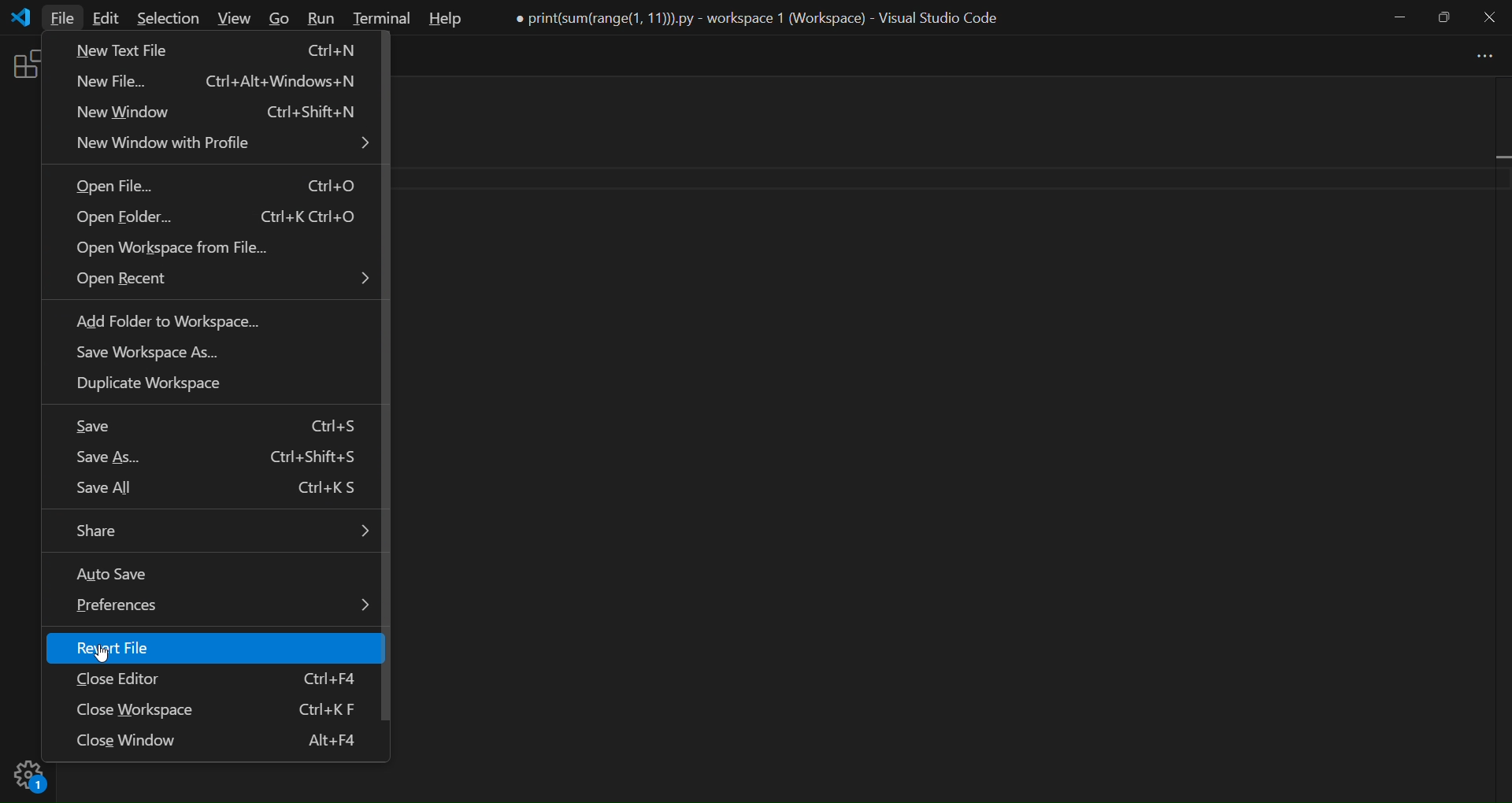 The width and height of the screenshot is (1512, 803). I want to click on vertical scroll bar, so click(1499, 432).